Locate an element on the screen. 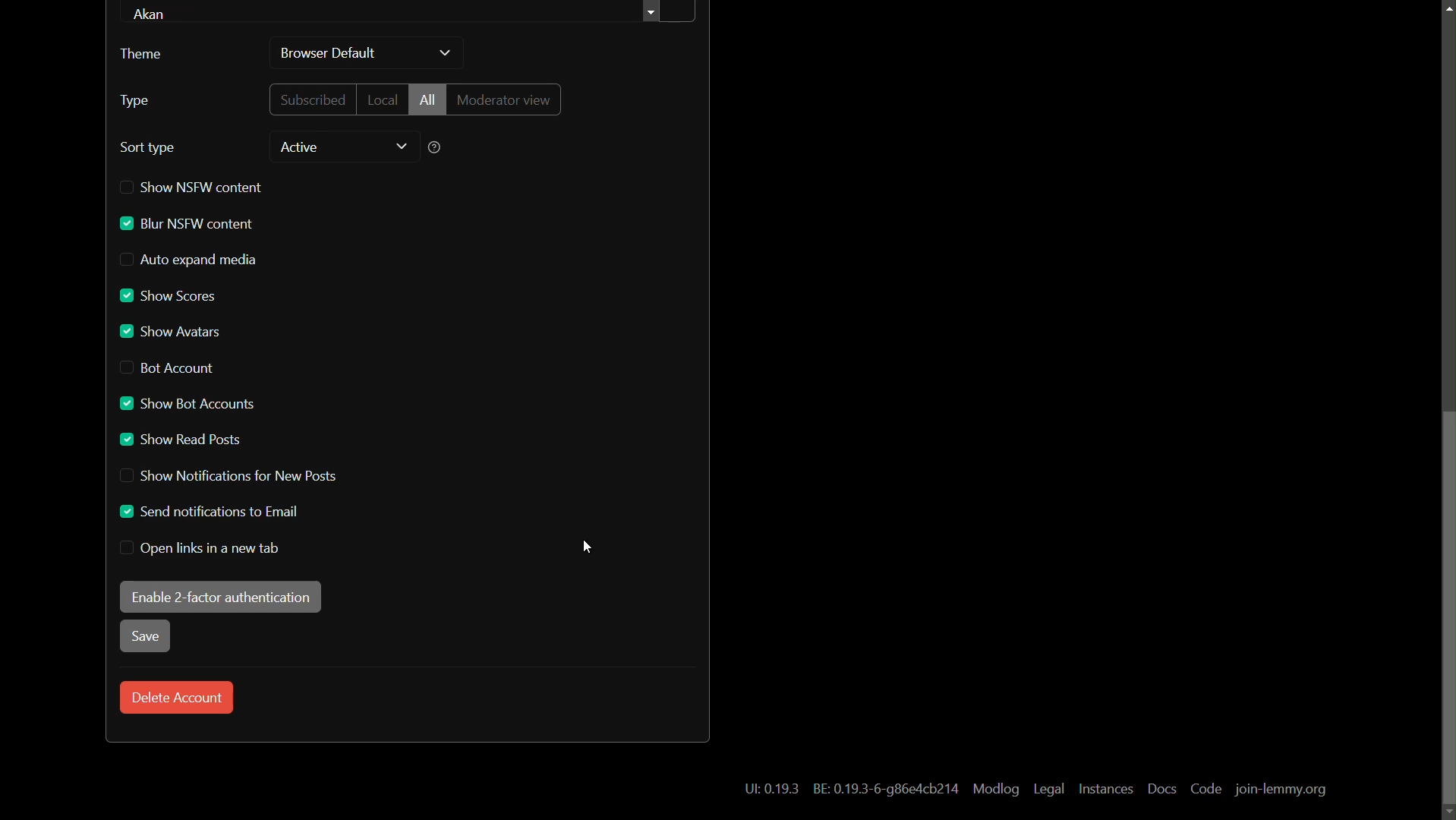 The image size is (1456, 820). show nsfw content is located at coordinates (195, 186).